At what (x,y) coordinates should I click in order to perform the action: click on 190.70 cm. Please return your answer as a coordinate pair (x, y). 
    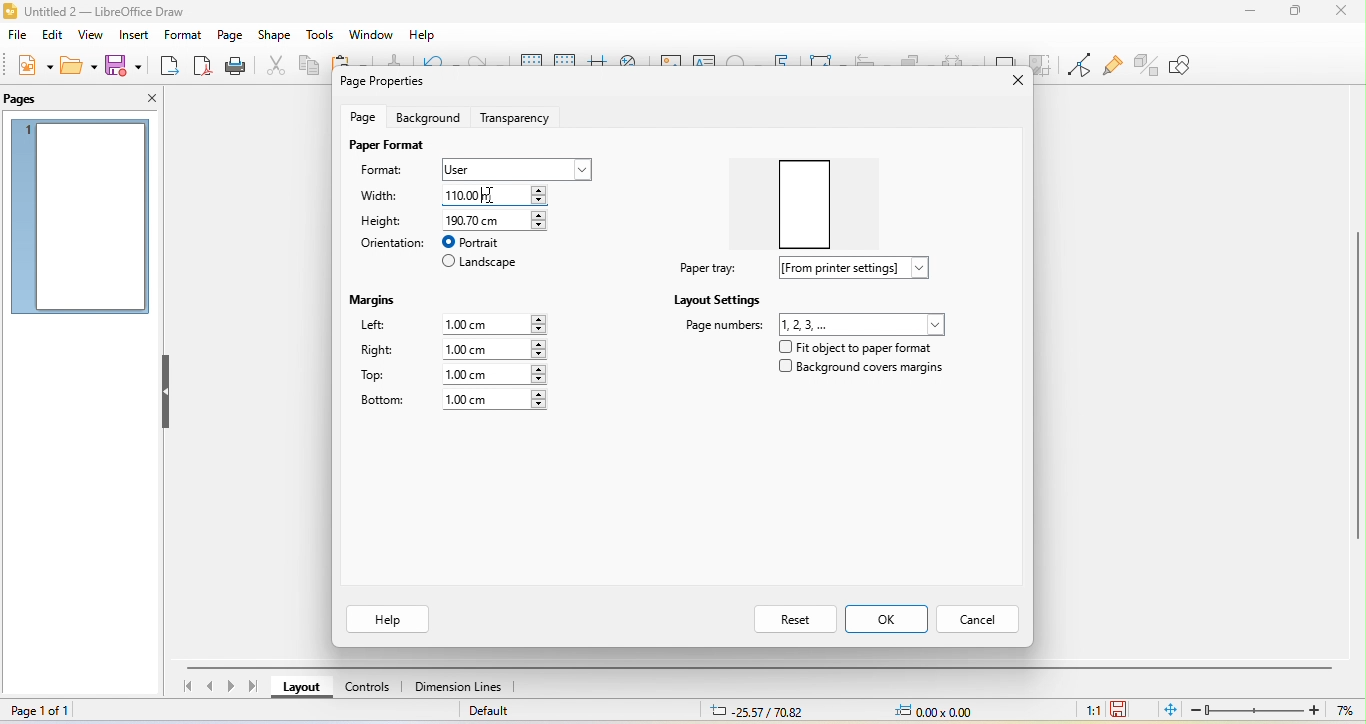
    Looking at the image, I should click on (495, 218).